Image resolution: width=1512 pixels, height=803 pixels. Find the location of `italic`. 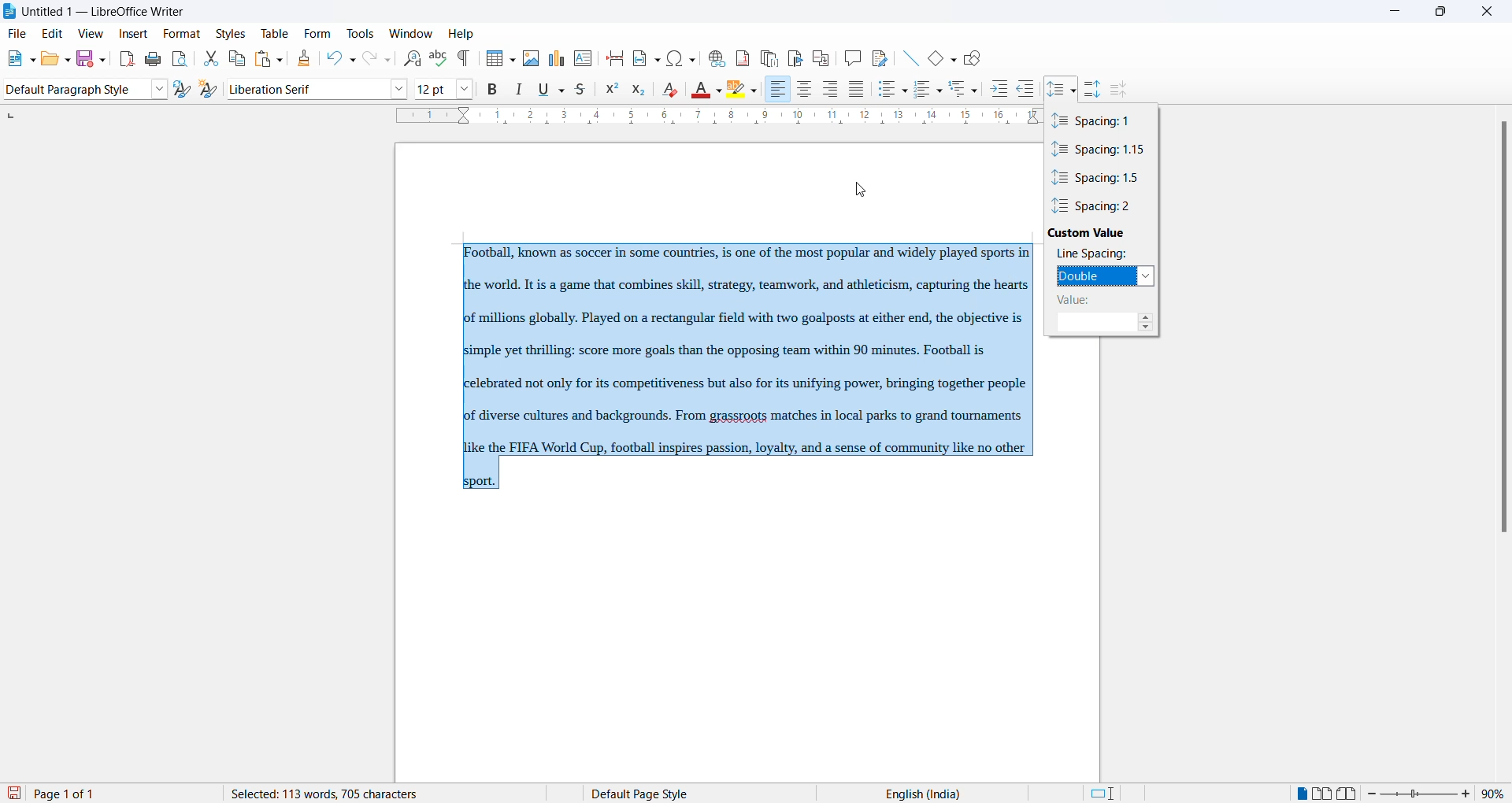

italic is located at coordinates (519, 87).